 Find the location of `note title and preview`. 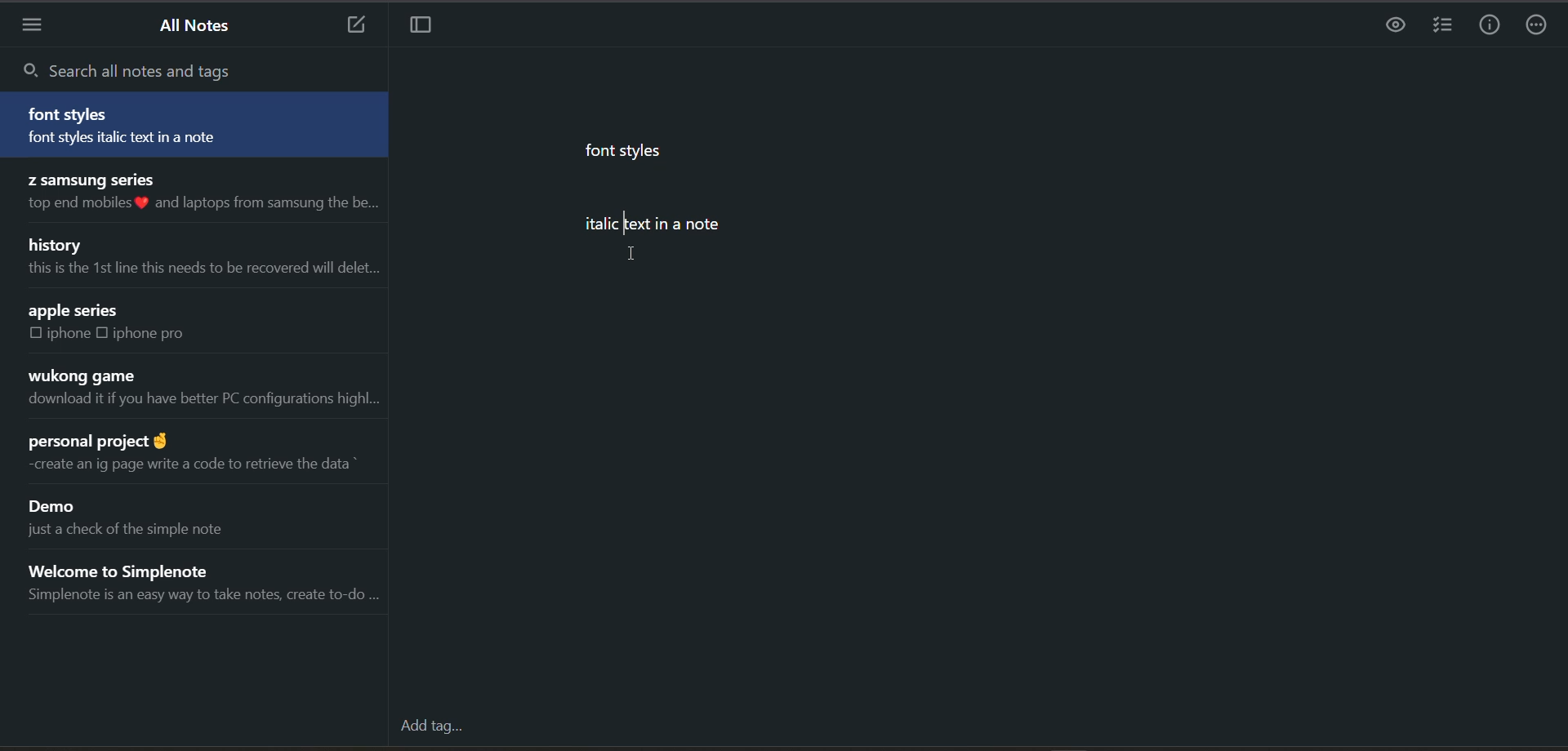

note title and preview is located at coordinates (195, 124).